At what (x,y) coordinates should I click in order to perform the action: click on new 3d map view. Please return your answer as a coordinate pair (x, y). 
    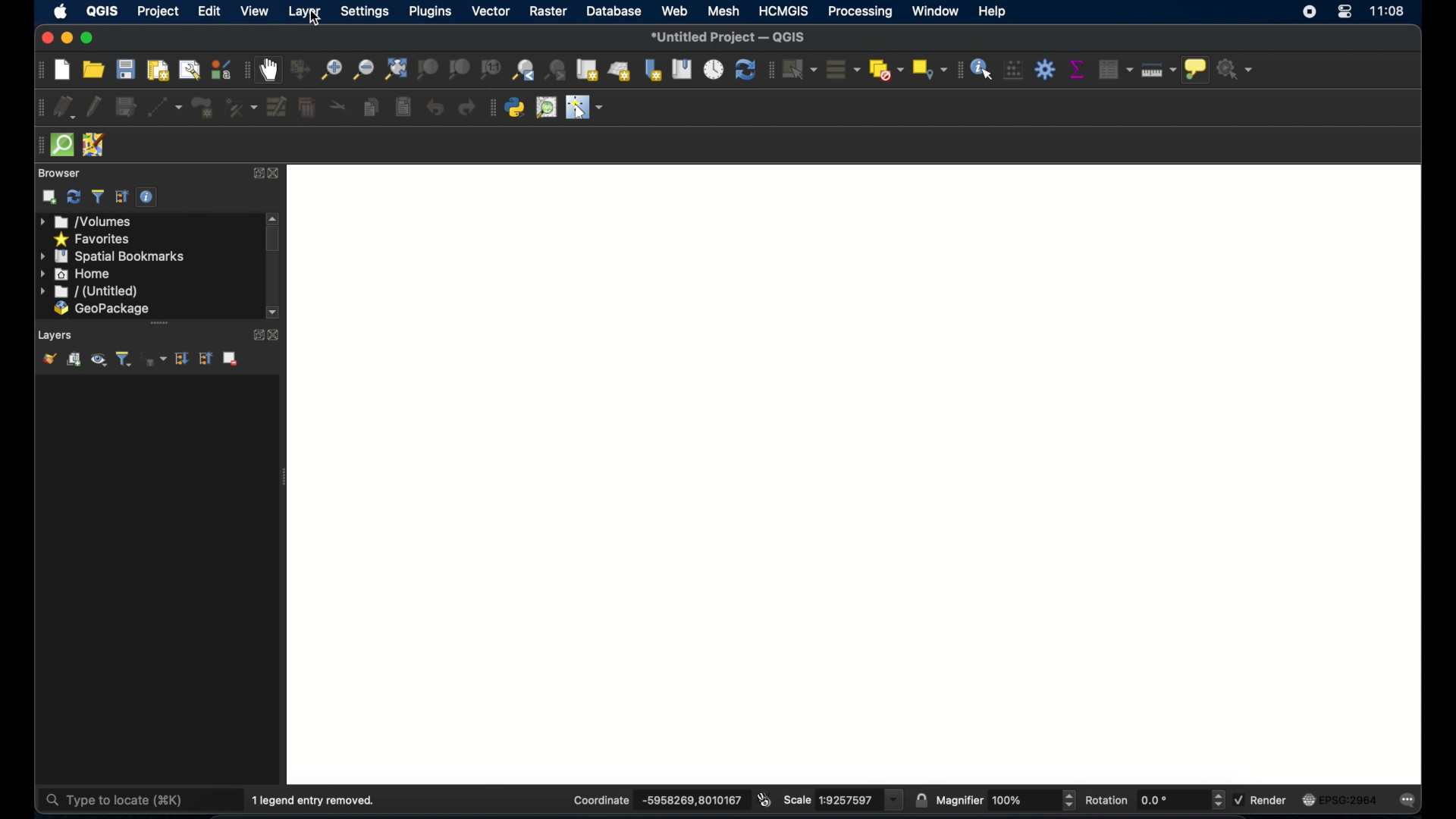
    Looking at the image, I should click on (620, 72).